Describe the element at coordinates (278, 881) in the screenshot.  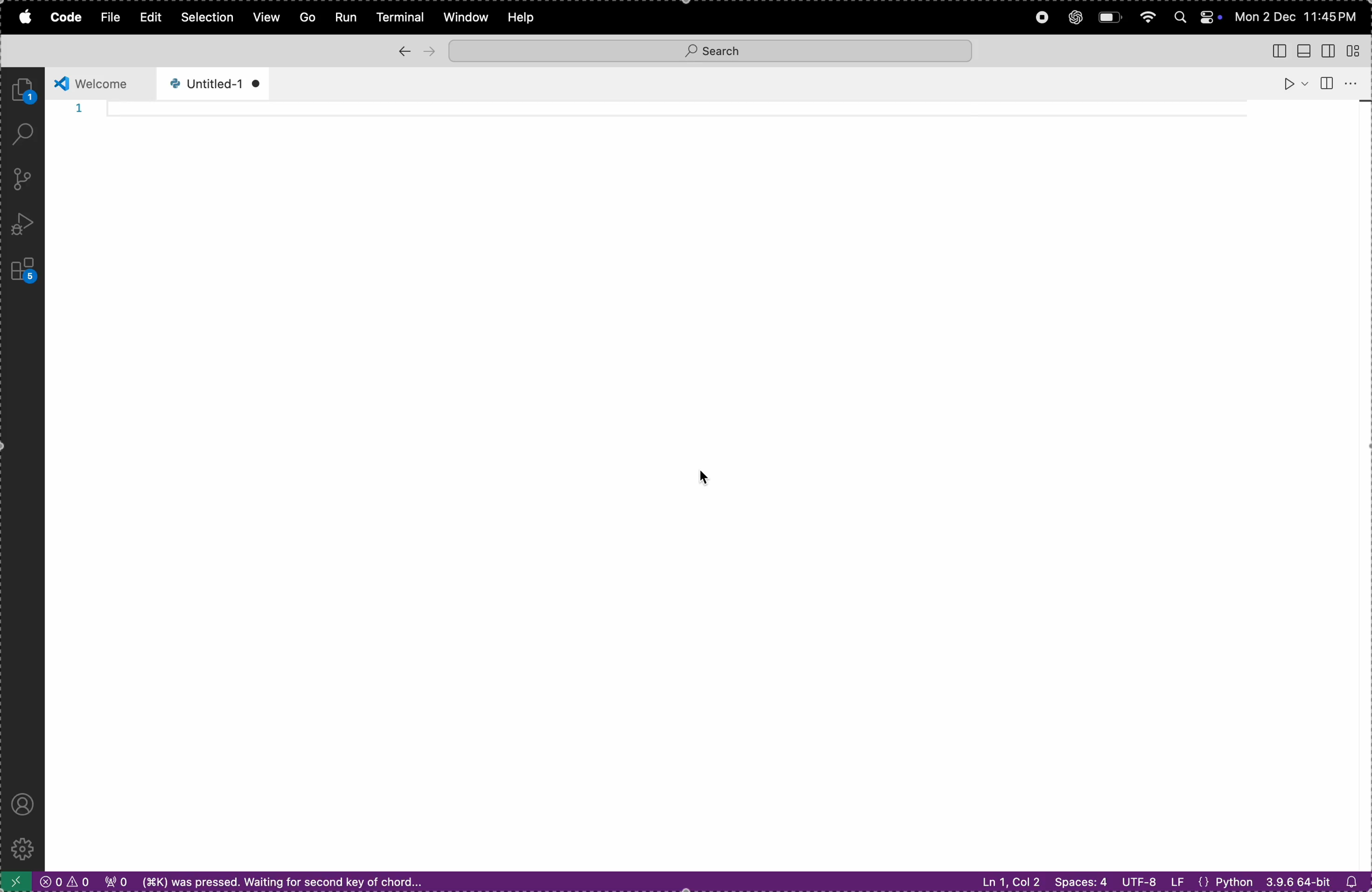
I see `waiting for second key chord` at that location.